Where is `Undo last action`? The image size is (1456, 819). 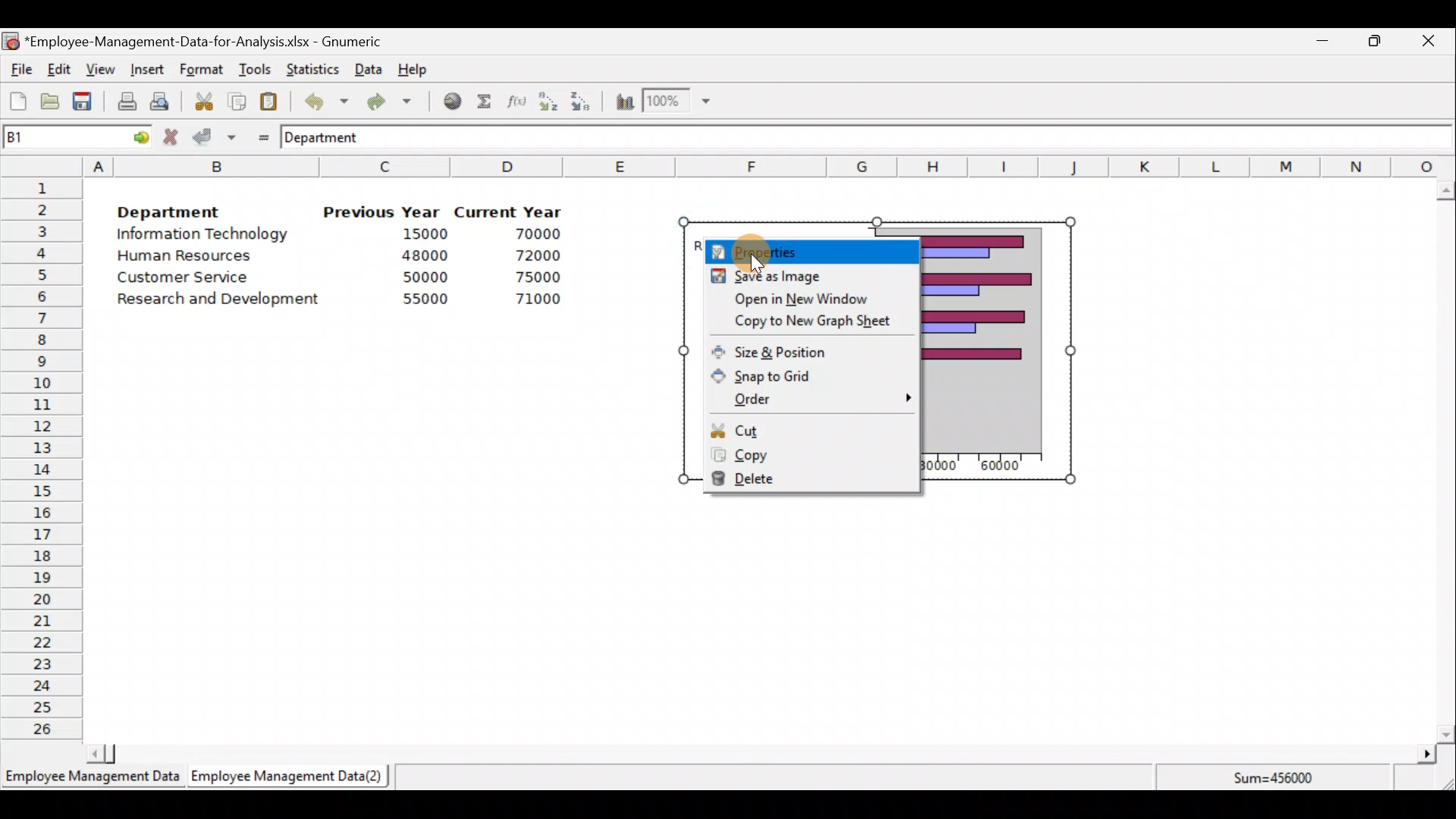
Undo last action is located at coordinates (318, 98).